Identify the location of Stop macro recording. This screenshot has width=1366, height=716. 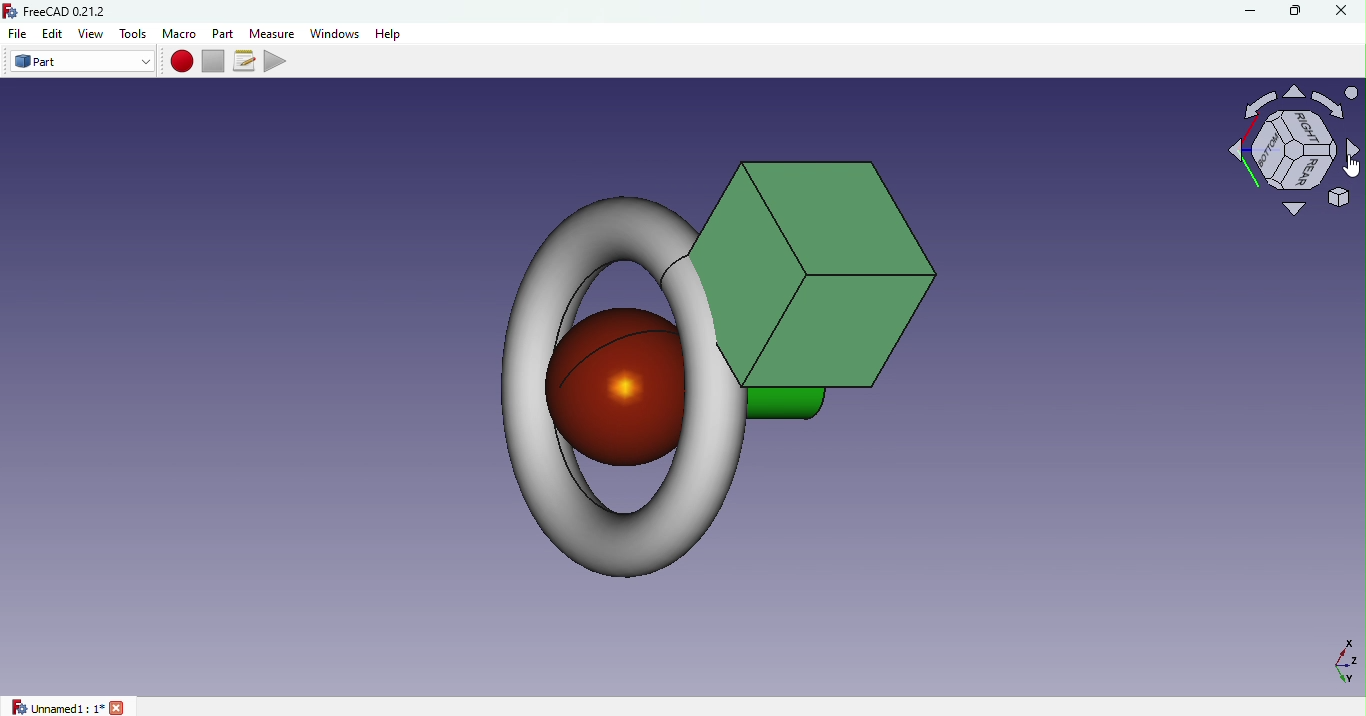
(212, 61).